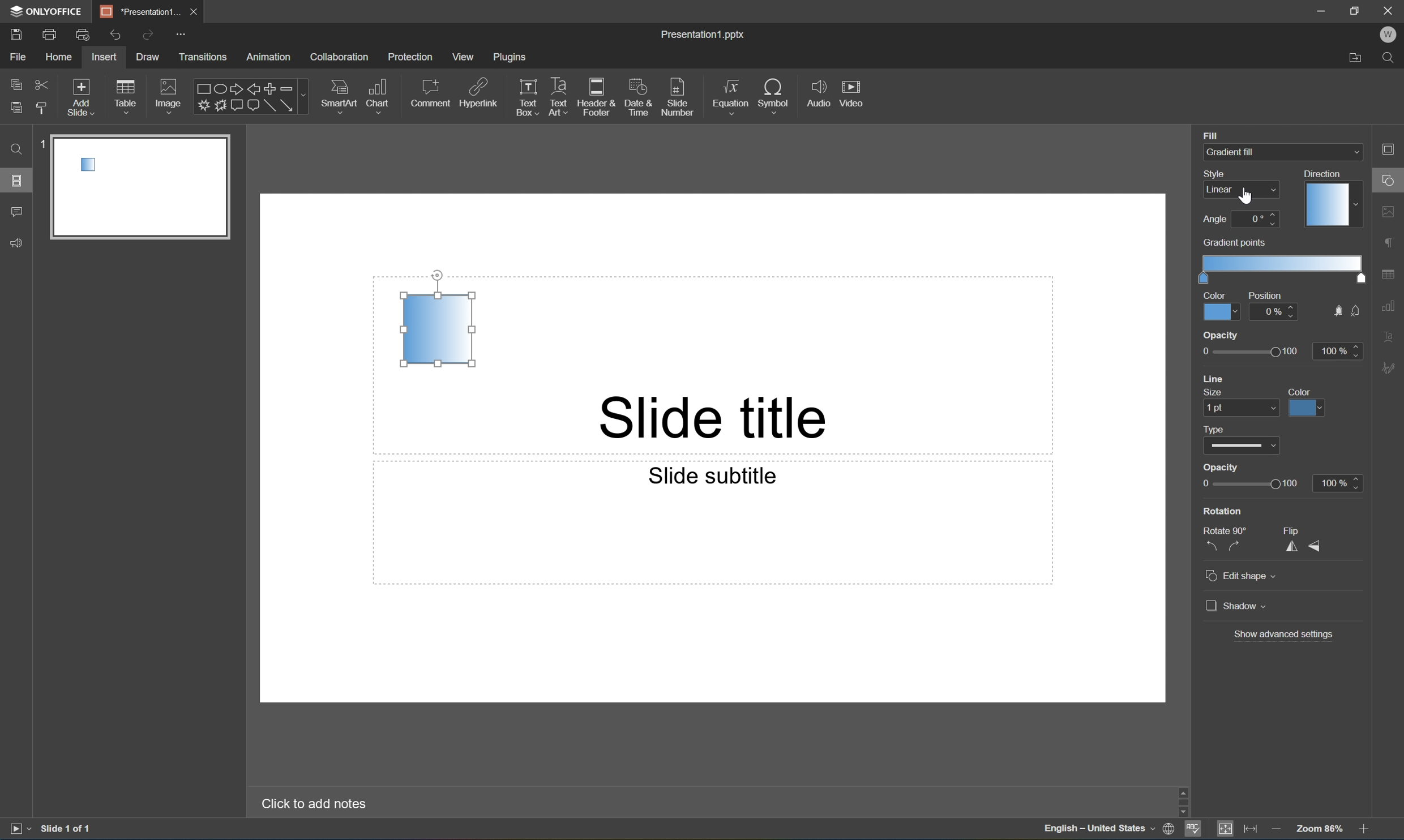  I want to click on Slide settings, so click(1393, 148).